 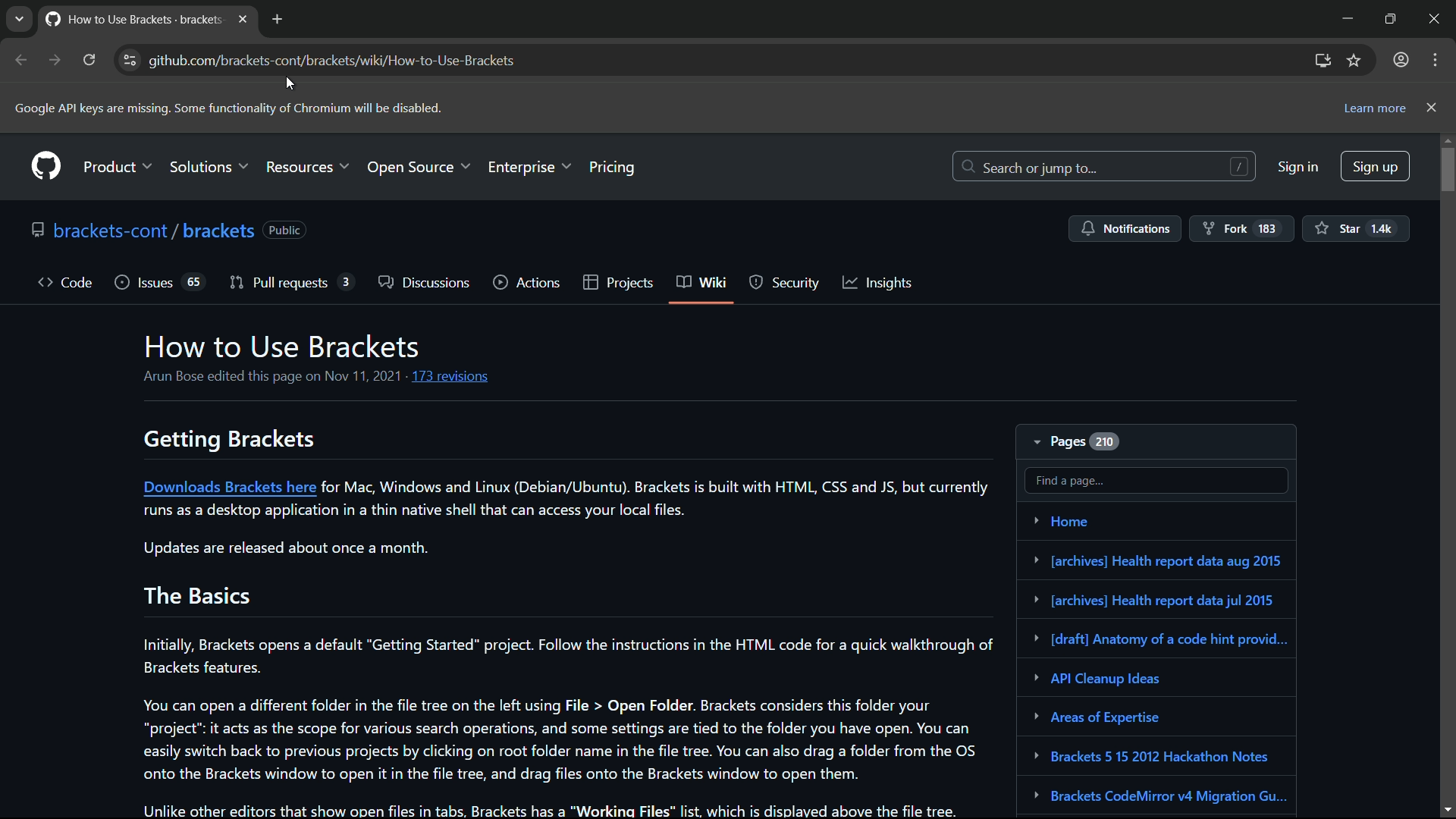 What do you see at coordinates (338, 61) in the screenshot?
I see `github.com/brackets-cont/brackets/wiki/How-to-Use-Brackets` at bounding box center [338, 61].